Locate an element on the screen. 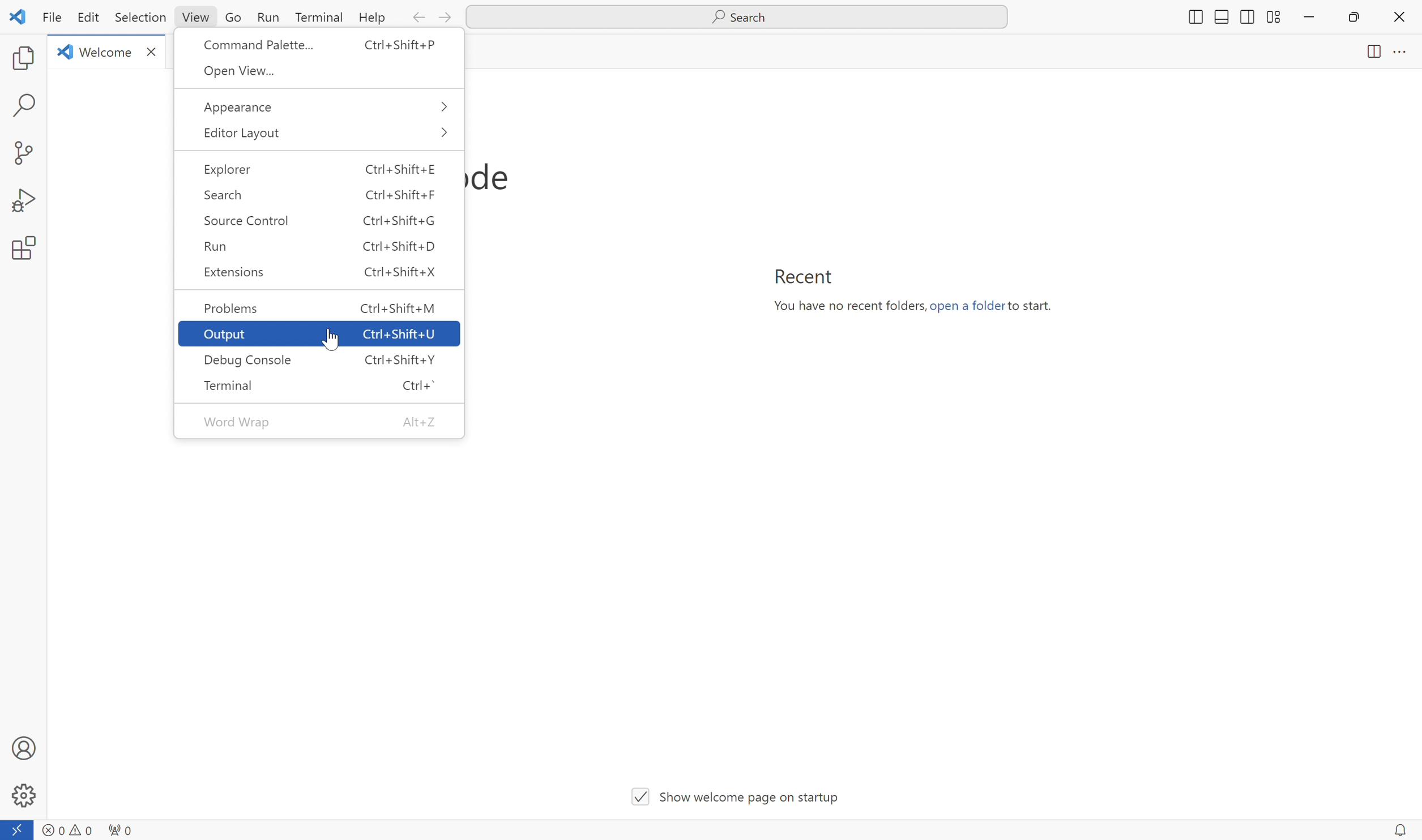 The image size is (1422, 840). settings is located at coordinates (25, 796).